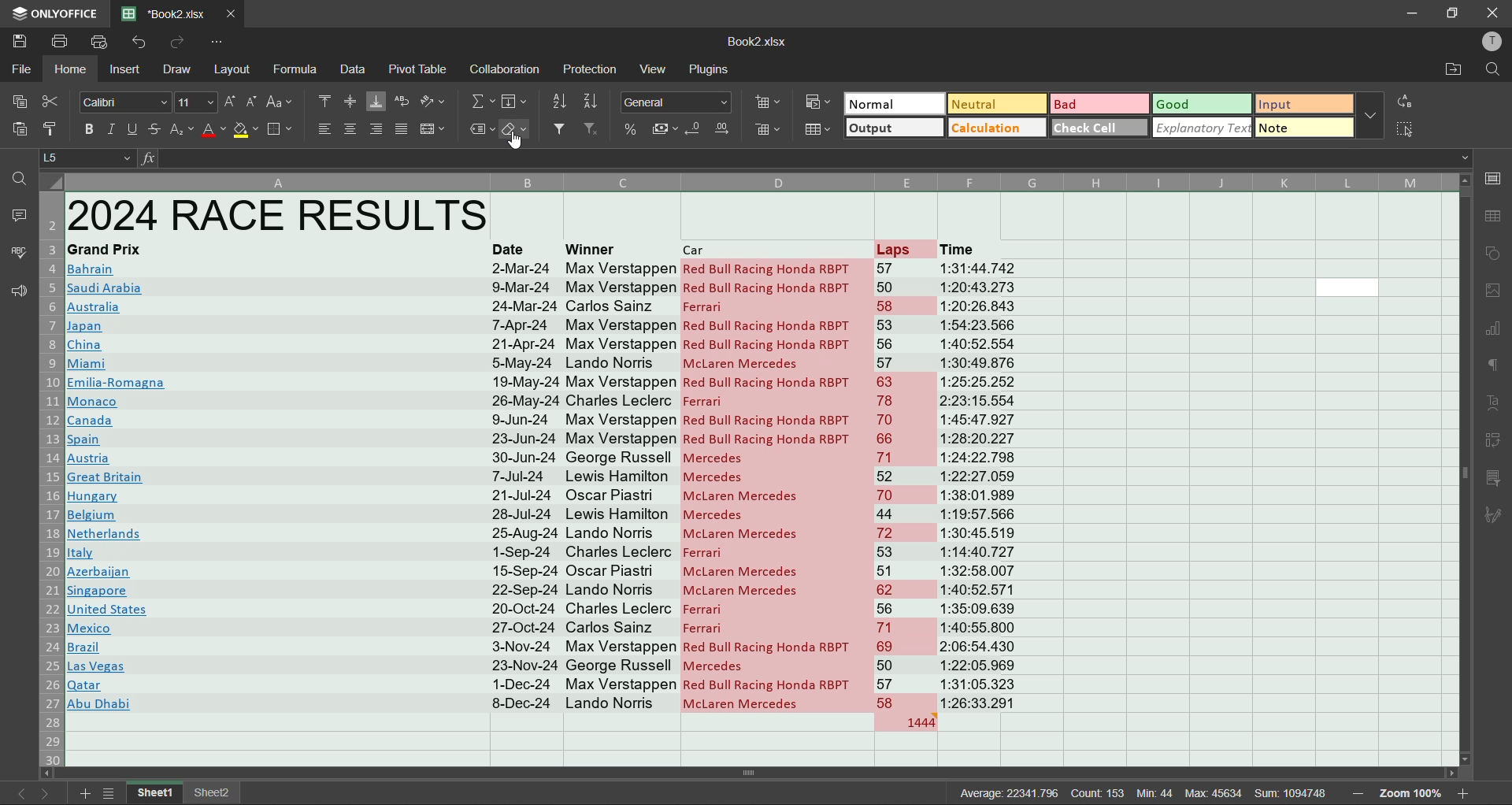 The width and height of the screenshot is (1512, 805). I want to click on text, so click(1494, 402).